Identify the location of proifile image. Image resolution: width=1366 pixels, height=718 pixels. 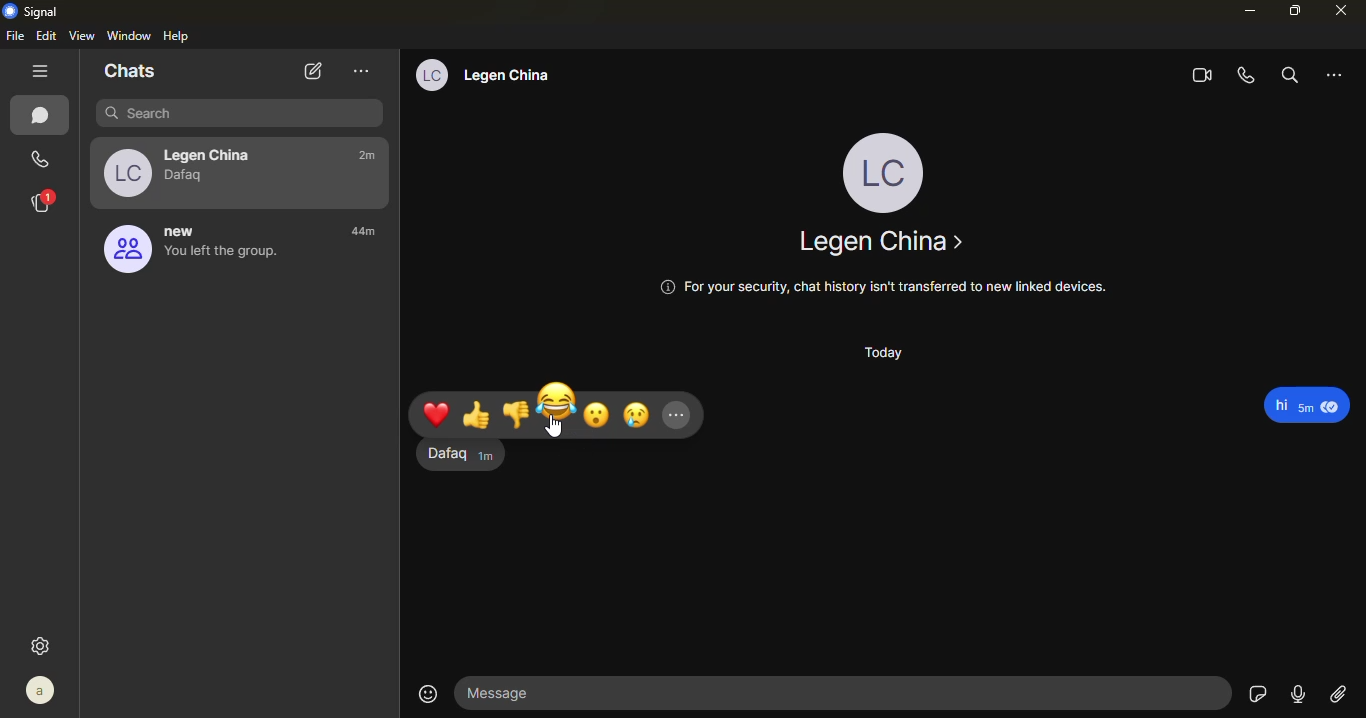
(123, 251).